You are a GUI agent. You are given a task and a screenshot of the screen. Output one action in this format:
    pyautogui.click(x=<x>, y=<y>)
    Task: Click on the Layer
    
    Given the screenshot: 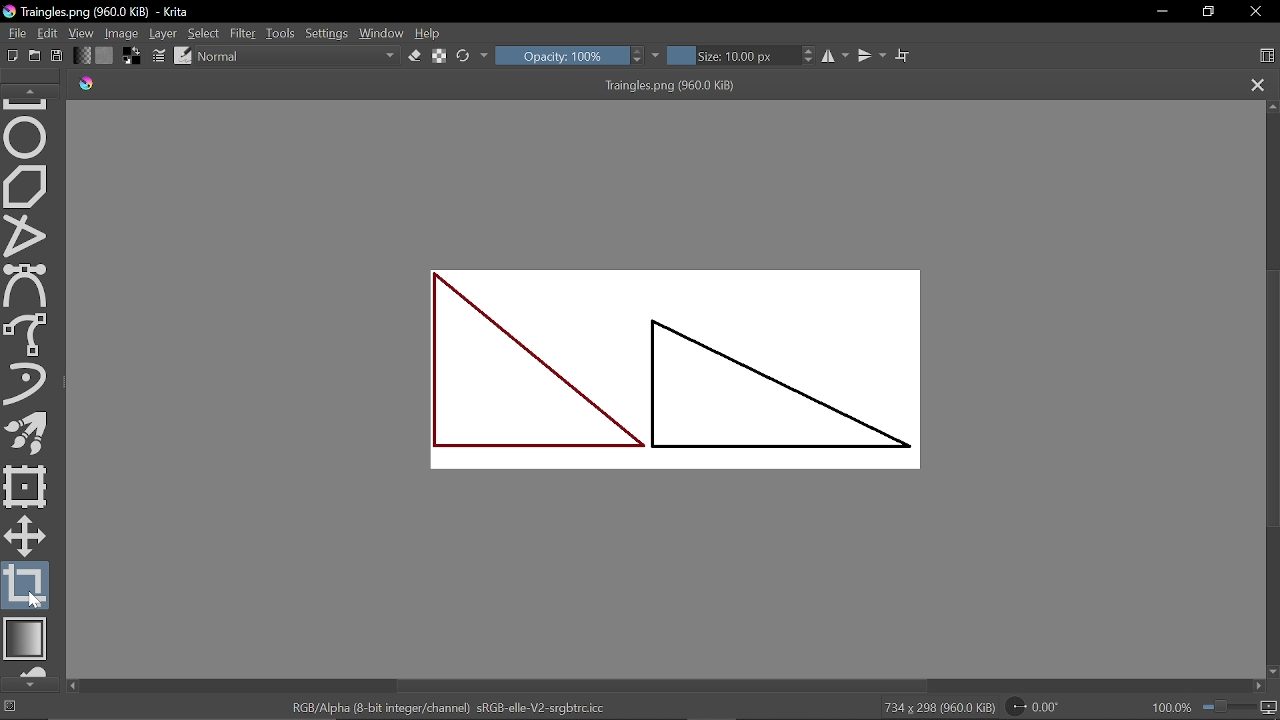 What is the action you would take?
    pyautogui.click(x=164, y=33)
    